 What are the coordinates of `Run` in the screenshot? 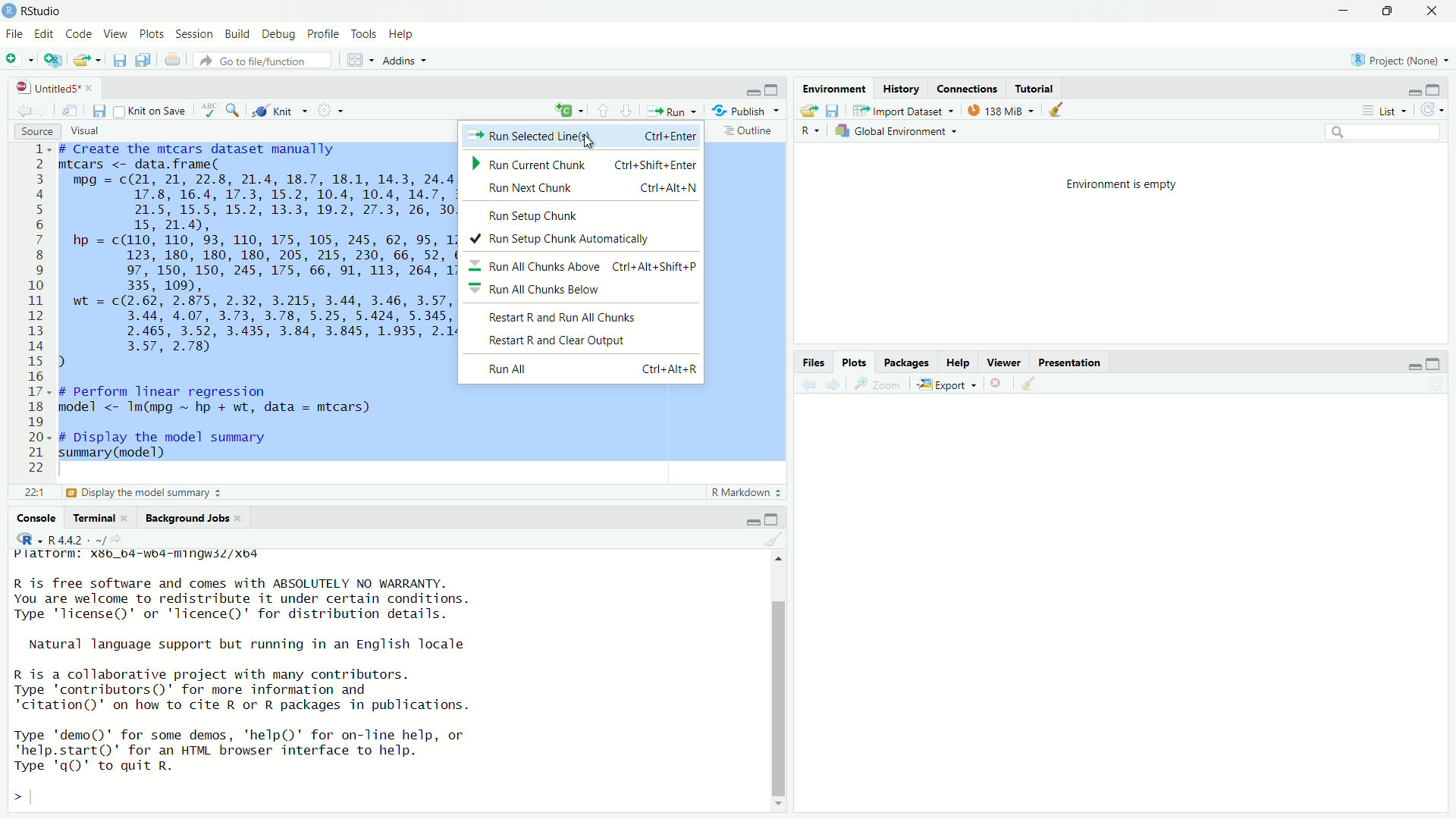 It's located at (670, 109).